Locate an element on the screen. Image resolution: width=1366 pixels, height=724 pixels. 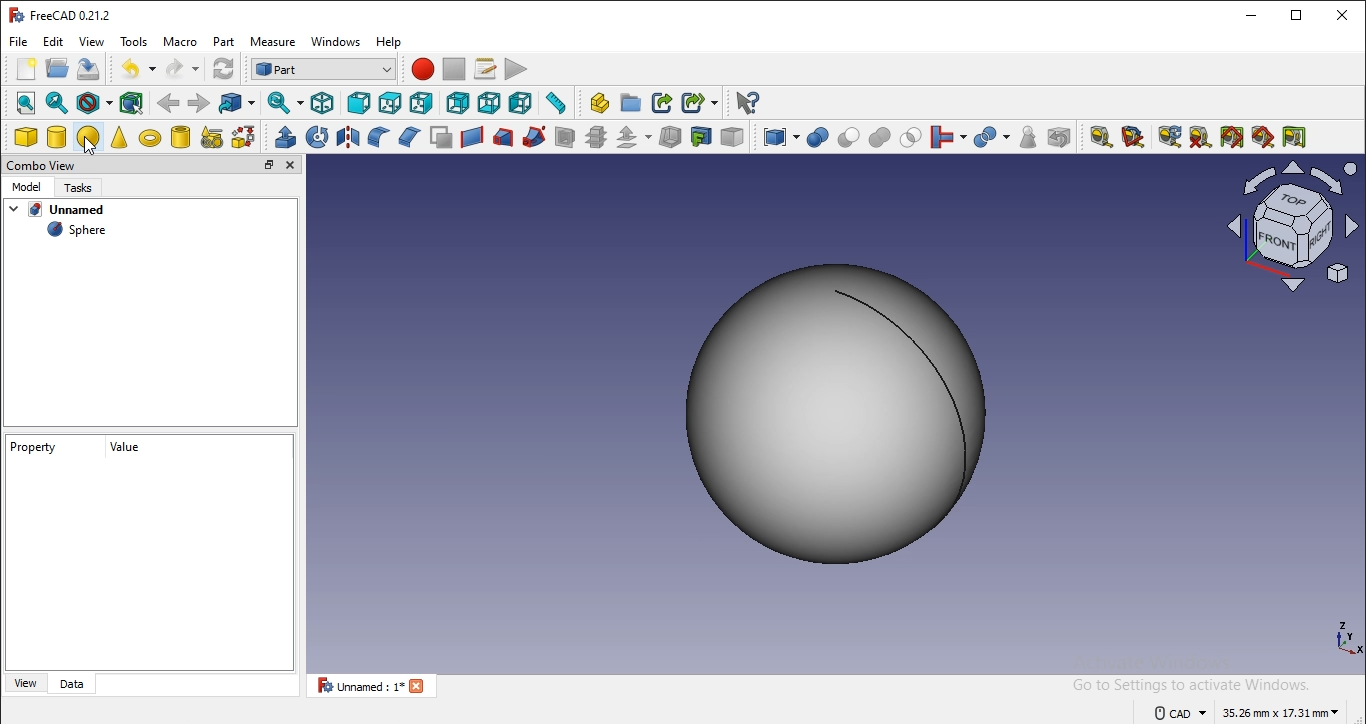
data is located at coordinates (72, 685).